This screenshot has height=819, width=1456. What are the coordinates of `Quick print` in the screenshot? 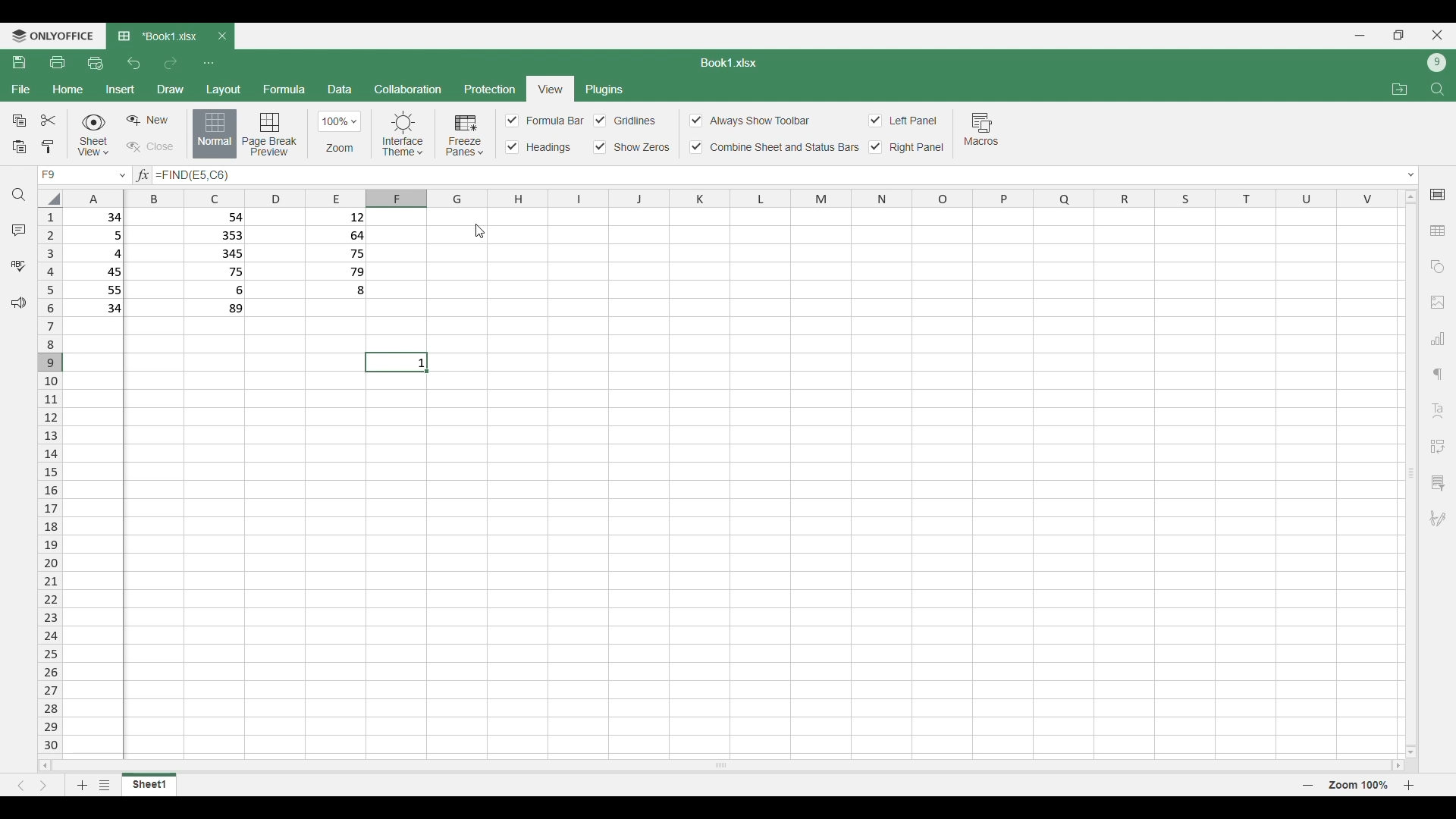 It's located at (96, 64).